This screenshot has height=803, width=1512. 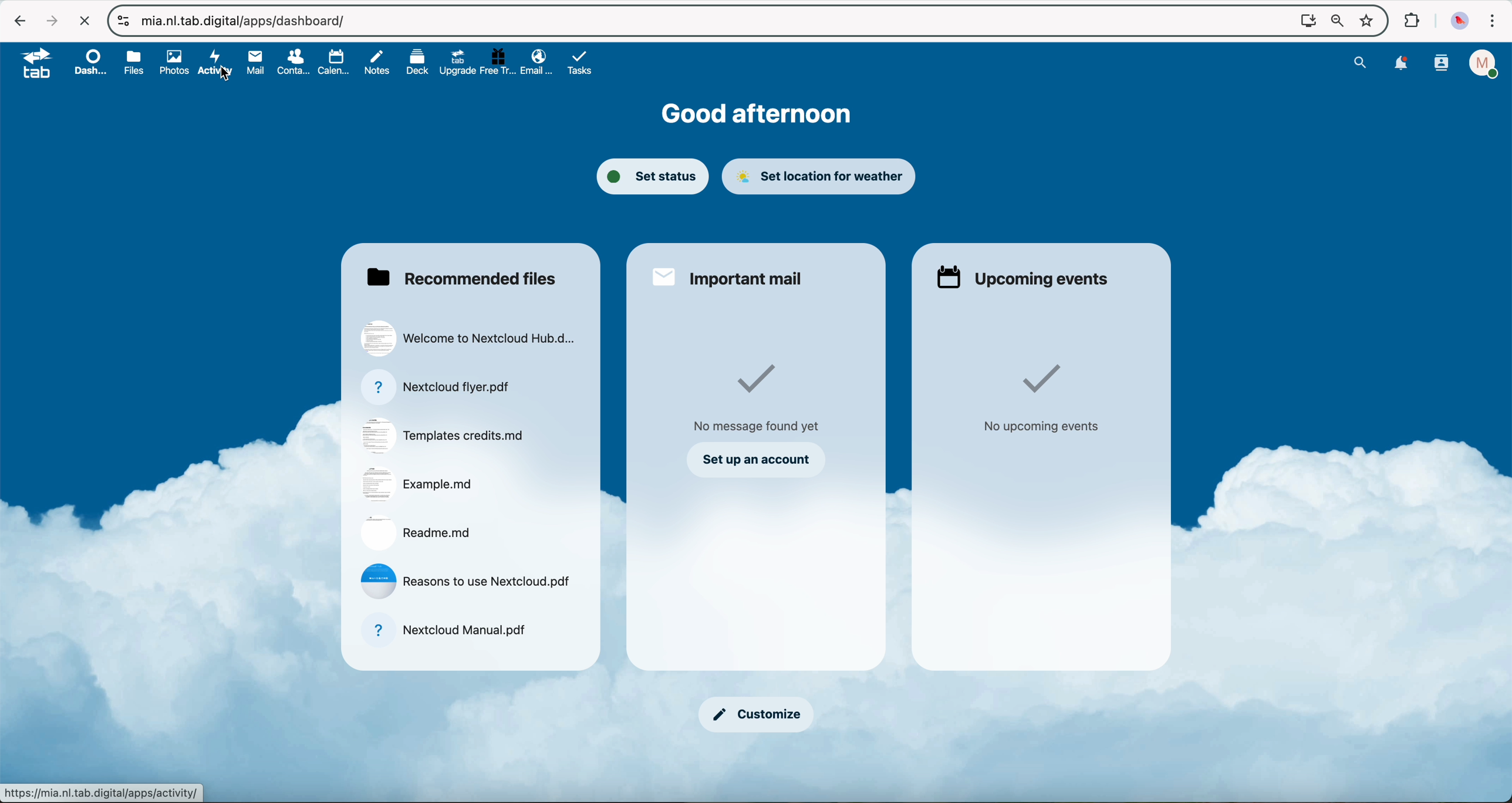 I want to click on upcoming events, so click(x=1023, y=276).